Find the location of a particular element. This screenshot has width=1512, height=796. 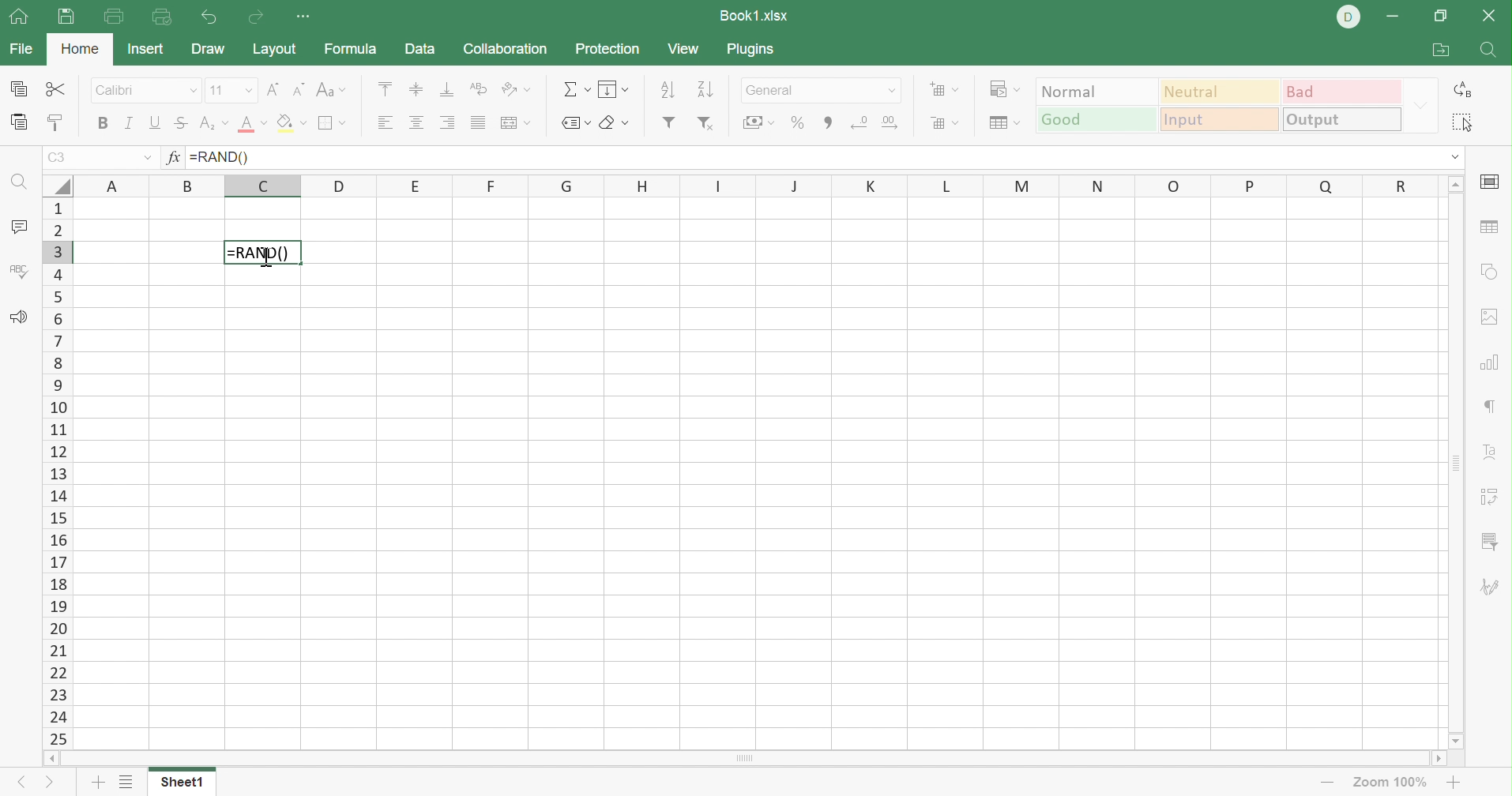

Cell settings is located at coordinates (1491, 182).